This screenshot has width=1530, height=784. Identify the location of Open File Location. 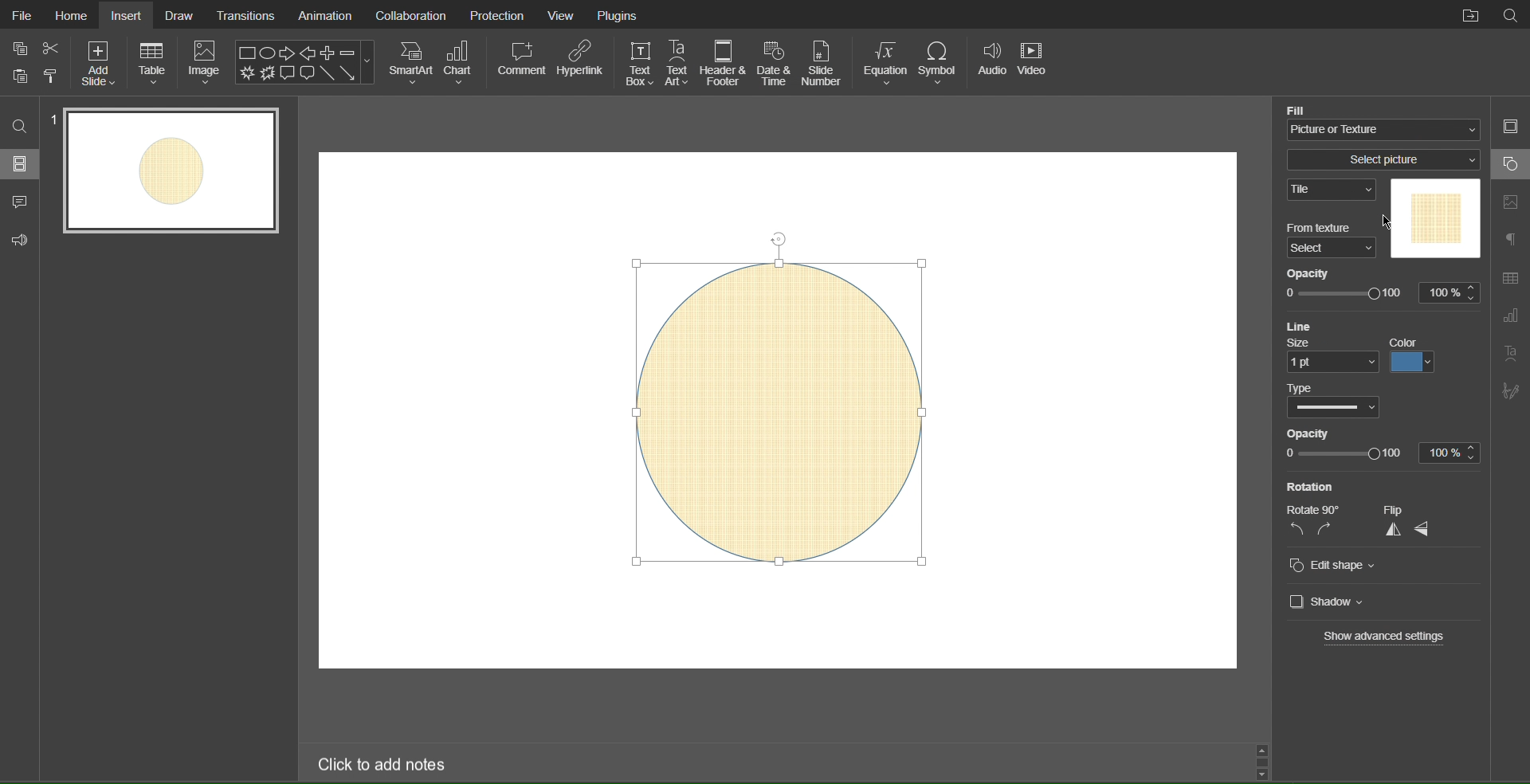
(1470, 15).